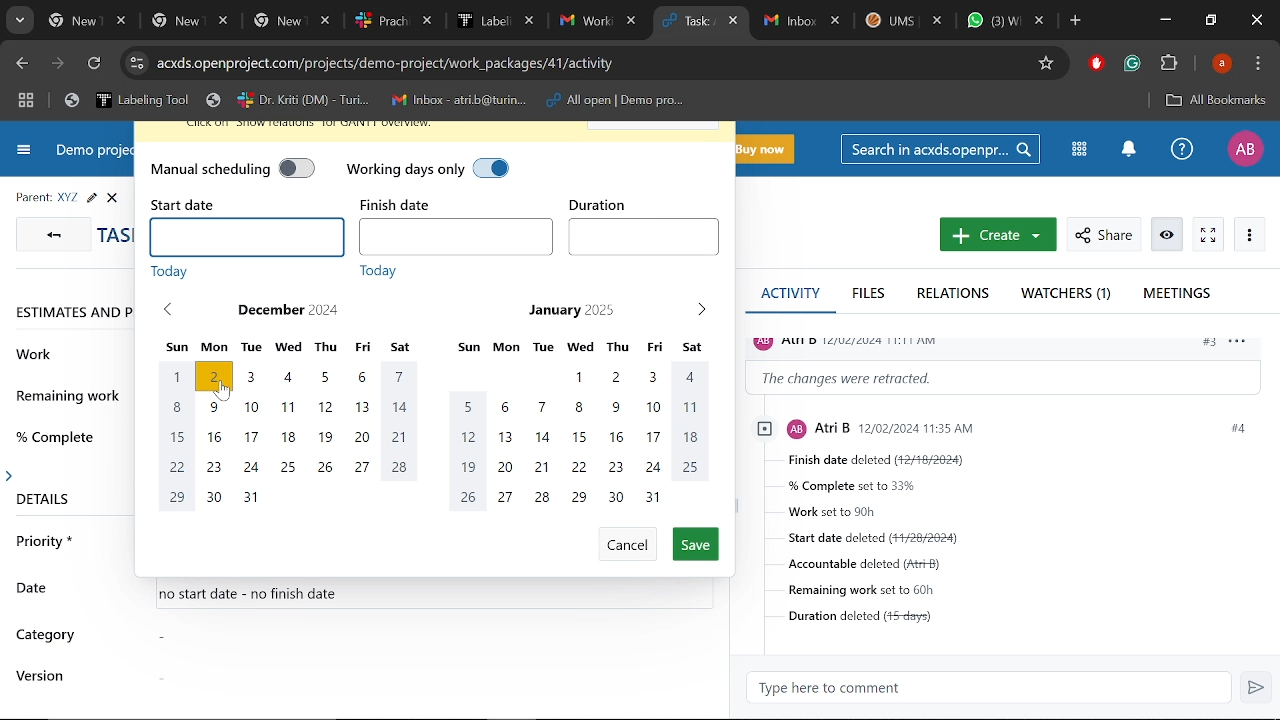 The width and height of the screenshot is (1280, 720). What do you see at coordinates (1026, 548) in the screenshot?
I see `Task details` at bounding box center [1026, 548].